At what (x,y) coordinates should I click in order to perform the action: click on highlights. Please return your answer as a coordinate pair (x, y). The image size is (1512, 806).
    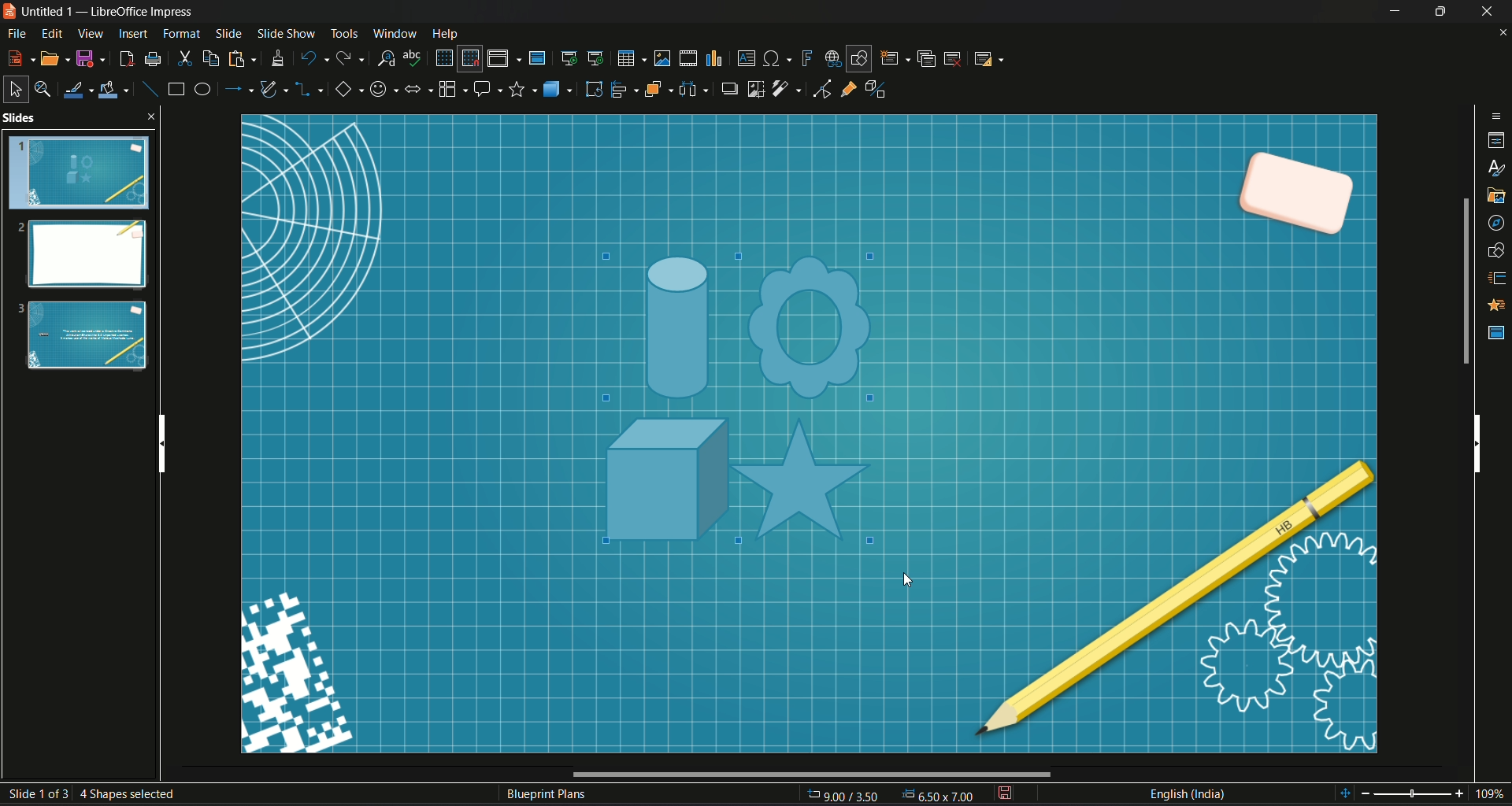
    Looking at the image, I should click on (752, 412).